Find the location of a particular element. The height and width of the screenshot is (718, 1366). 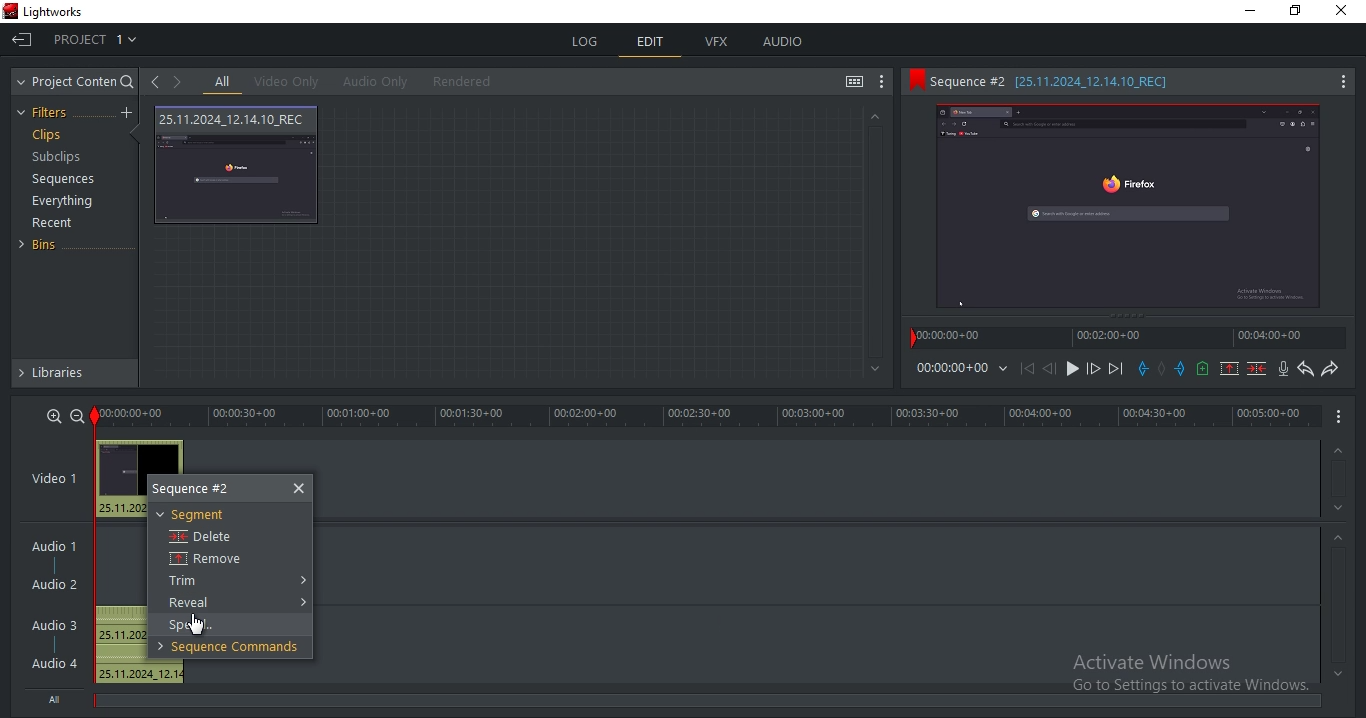

remove is located at coordinates (220, 560).